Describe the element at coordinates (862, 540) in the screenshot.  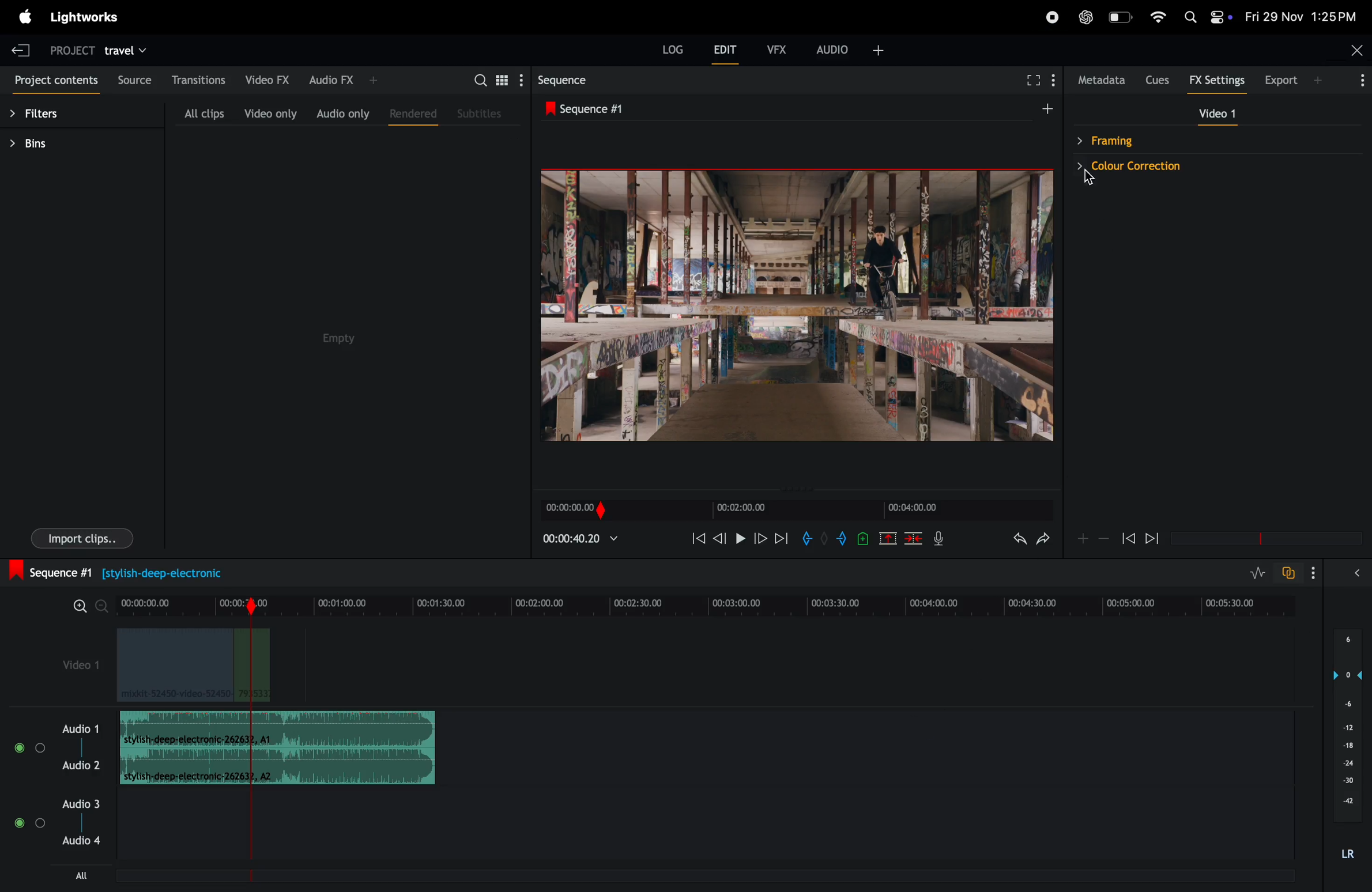
I see `add cue to current position` at that location.